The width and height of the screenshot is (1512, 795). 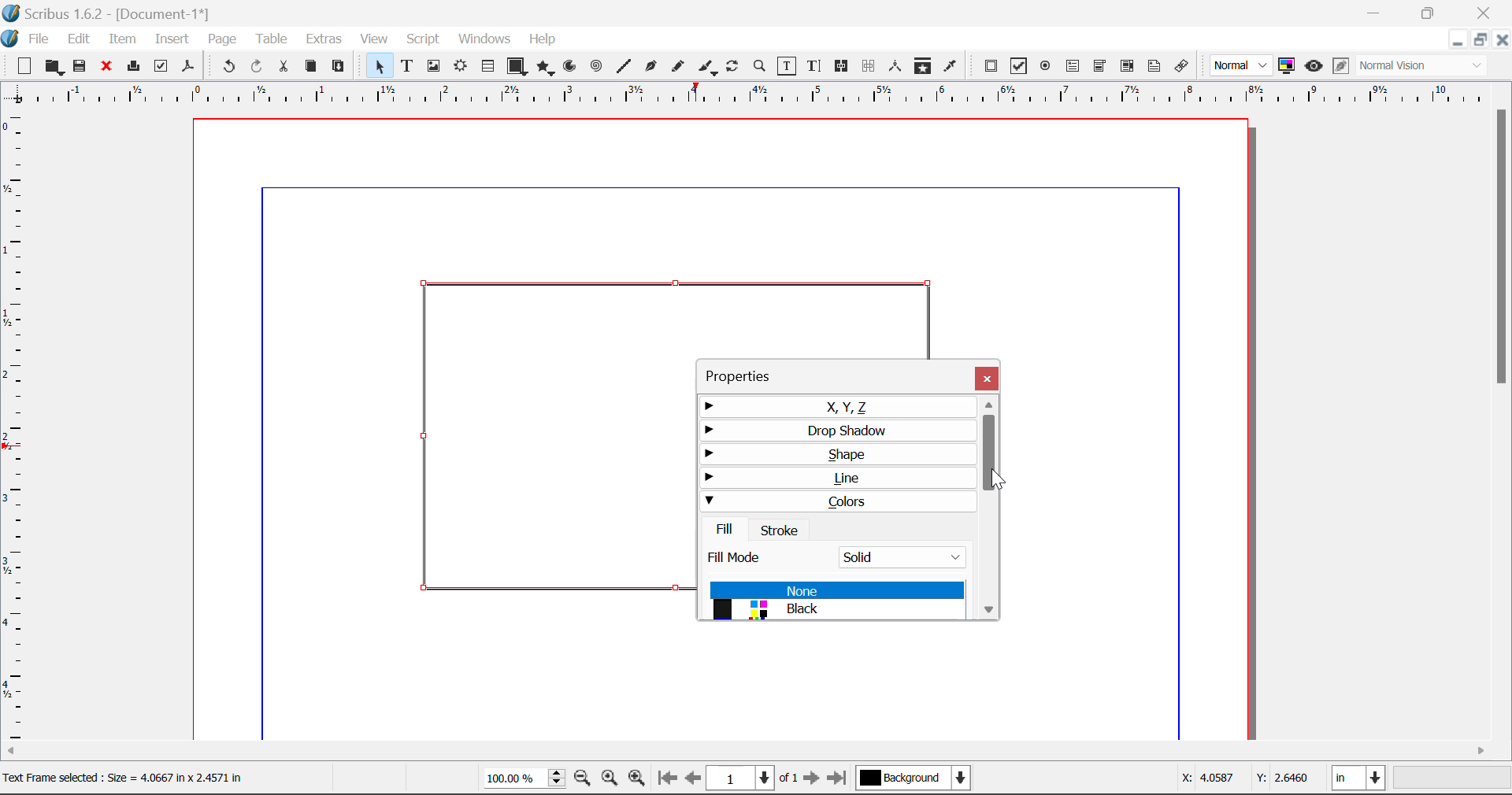 What do you see at coordinates (310, 66) in the screenshot?
I see `Copy` at bounding box center [310, 66].